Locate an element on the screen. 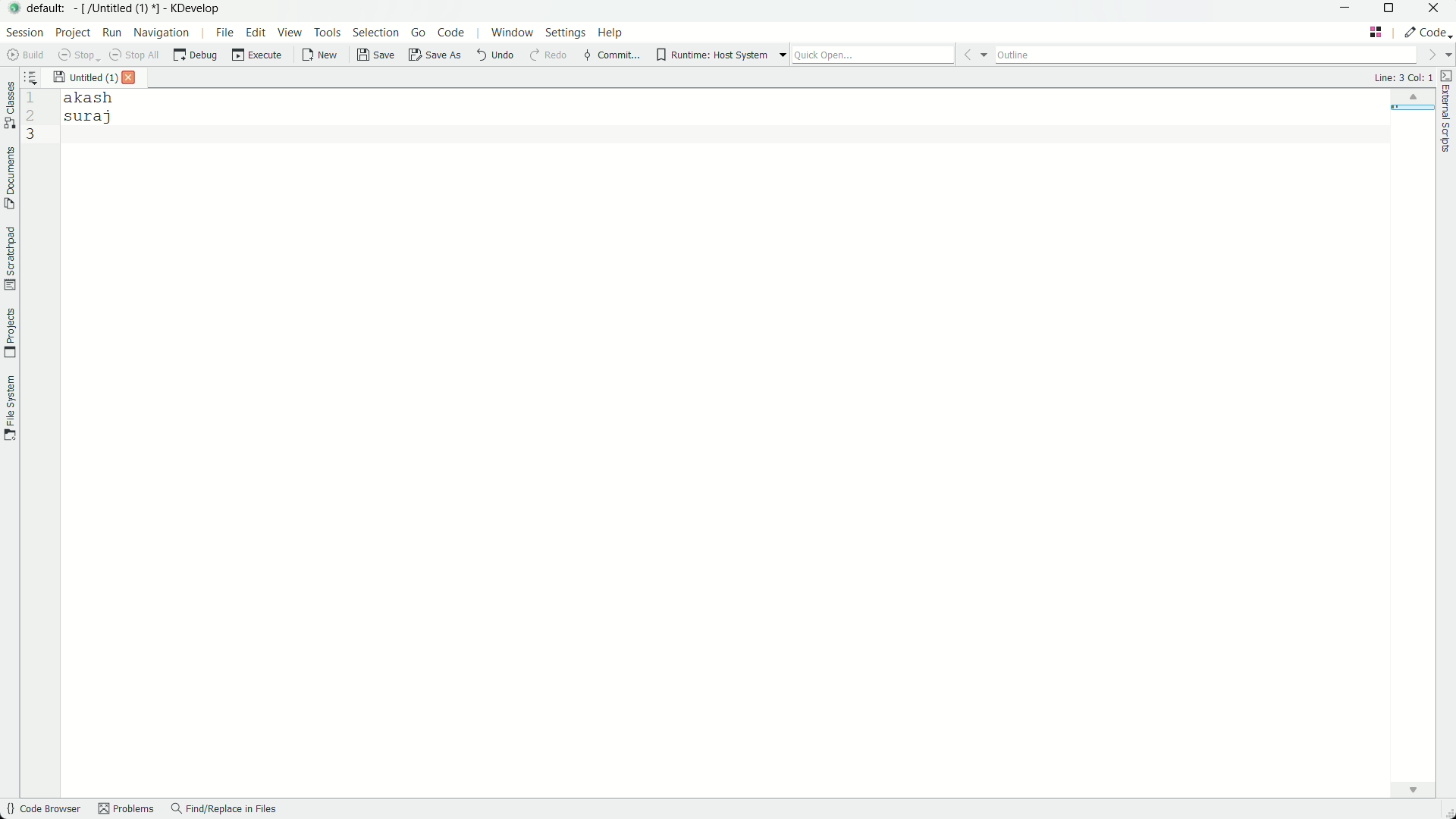 This screenshot has width=1456, height=819. tools menu is located at coordinates (329, 34).